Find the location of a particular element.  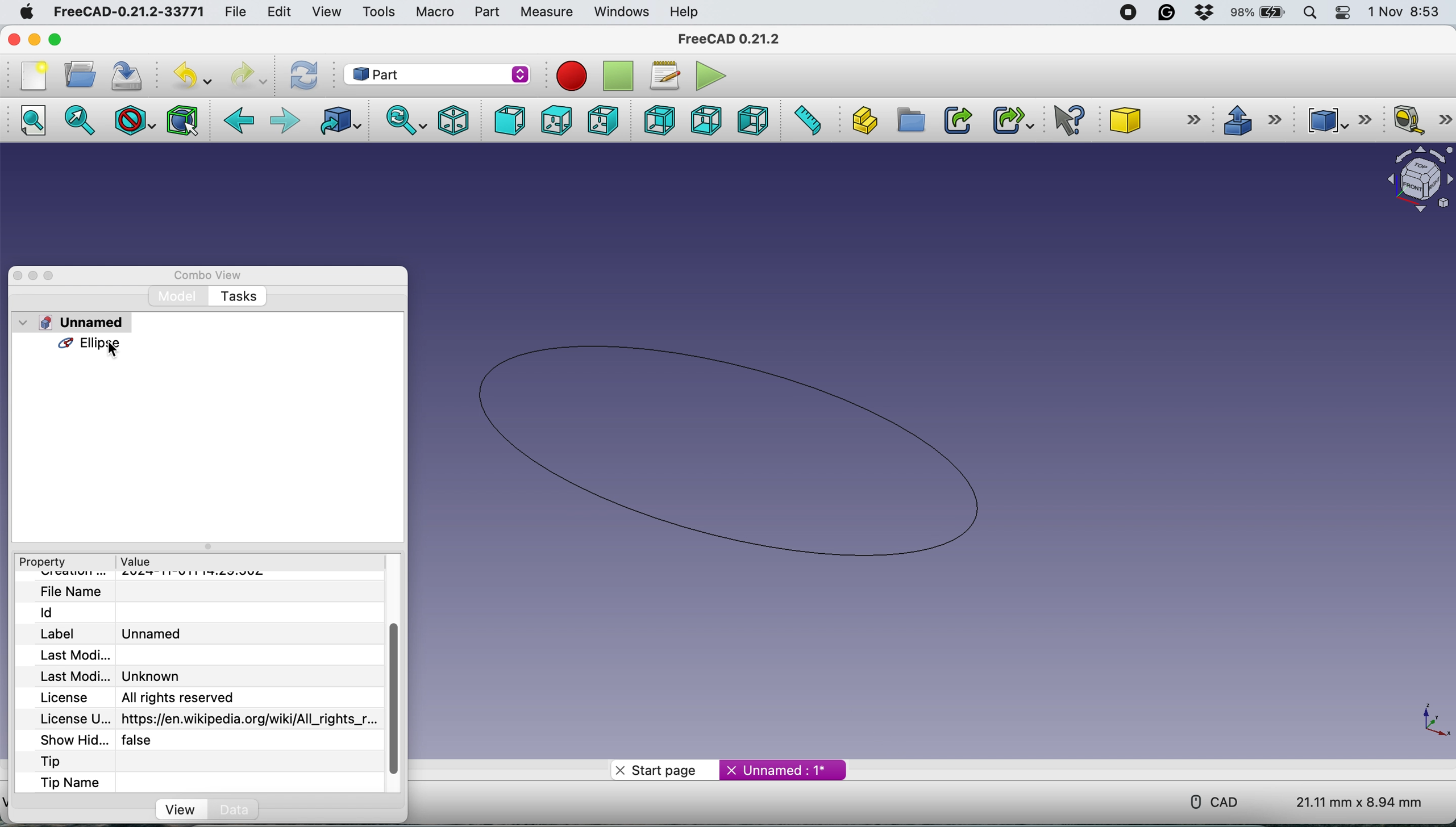

bottom is located at coordinates (705, 121).